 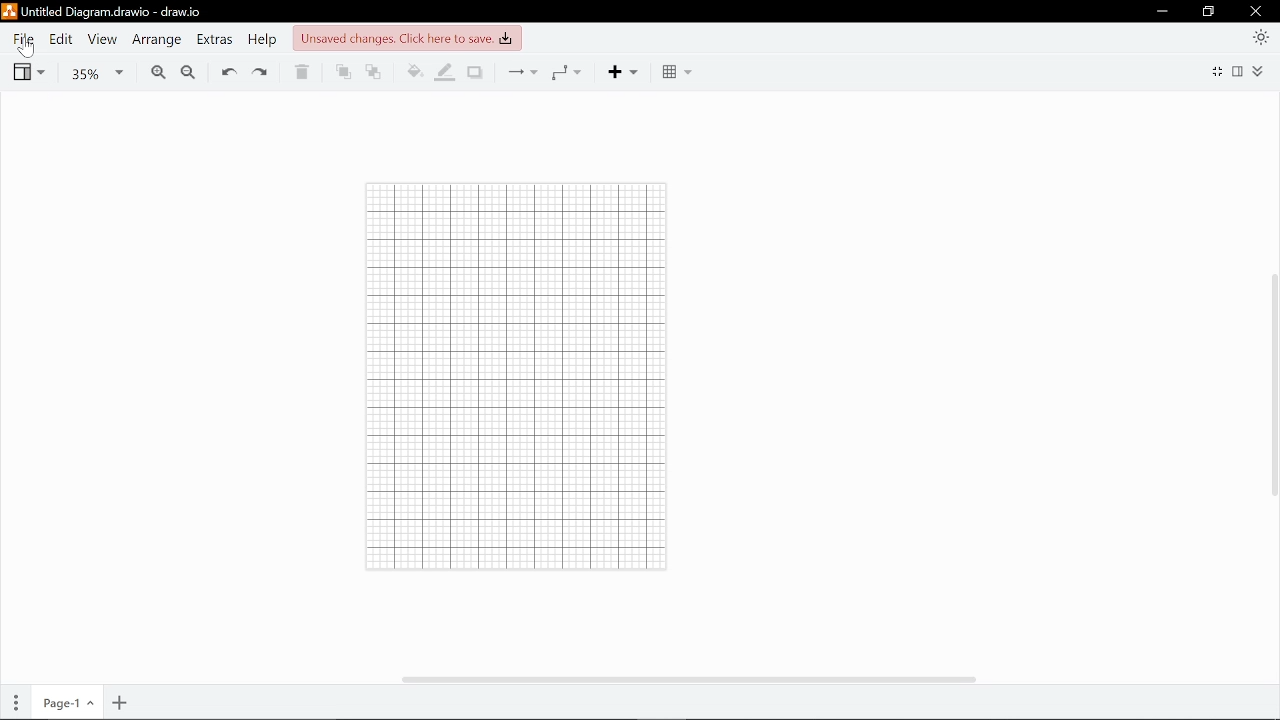 I want to click on Zoom, so click(x=94, y=73).